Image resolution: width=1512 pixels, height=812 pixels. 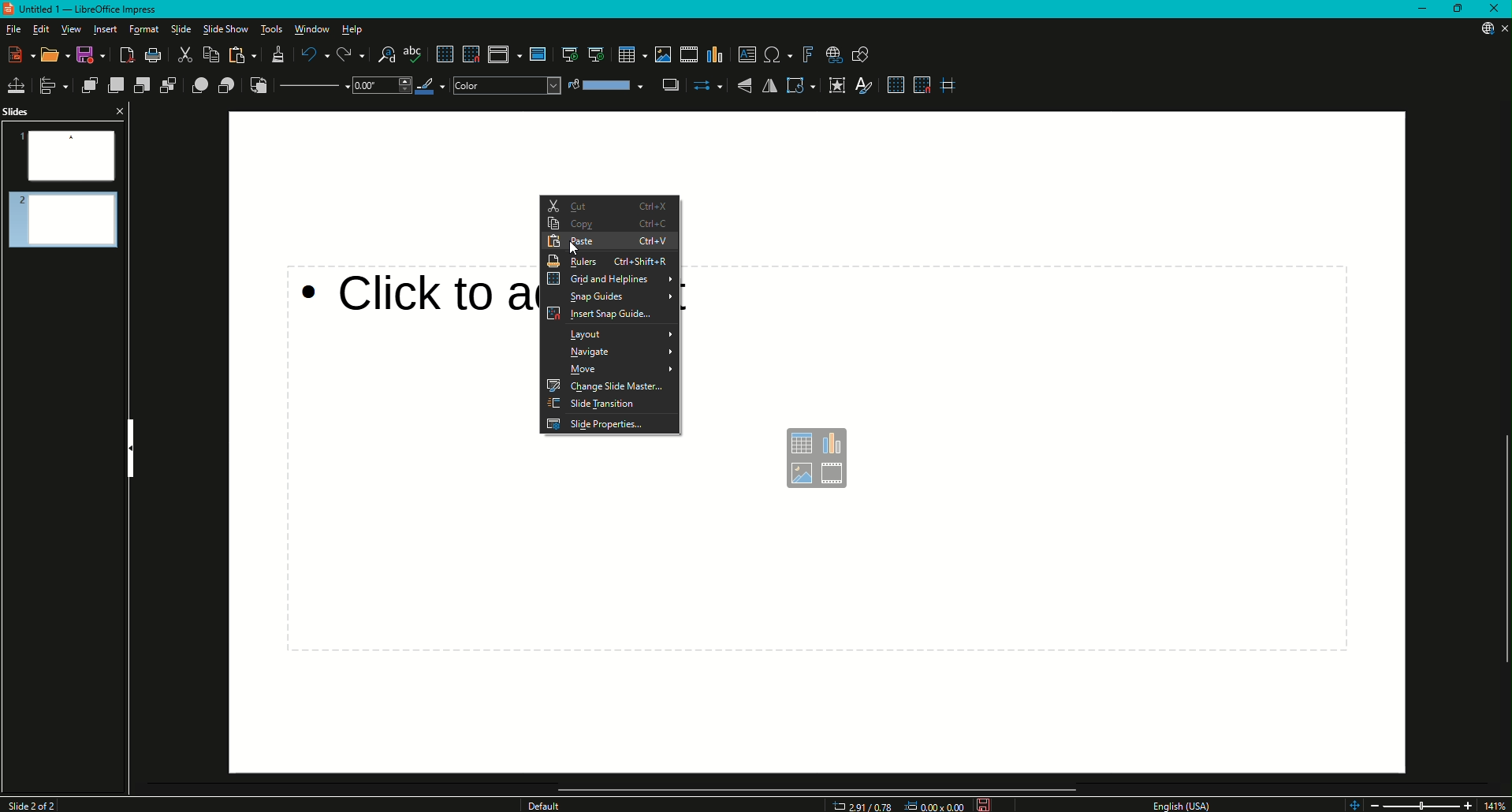 What do you see at coordinates (206, 54) in the screenshot?
I see `Copy` at bounding box center [206, 54].